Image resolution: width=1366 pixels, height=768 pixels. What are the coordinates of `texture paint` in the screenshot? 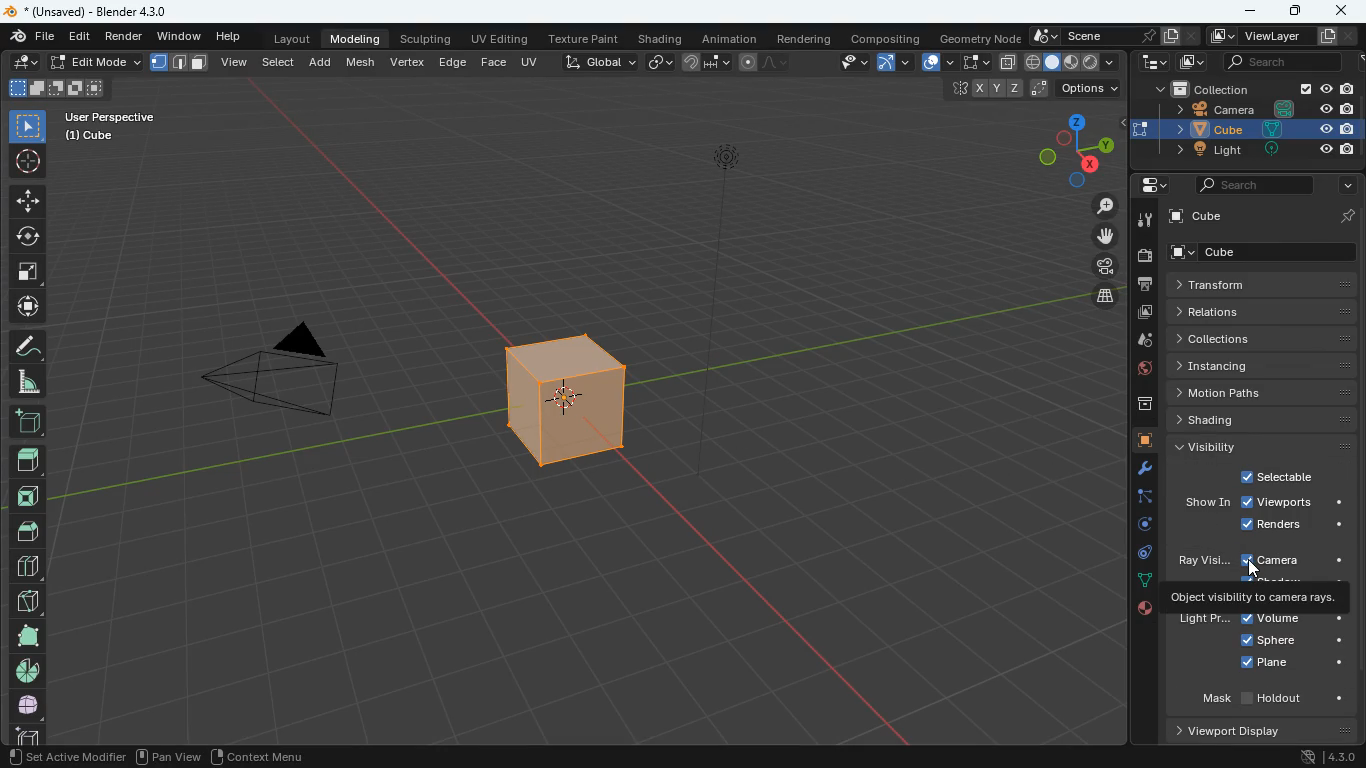 It's located at (582, 39).